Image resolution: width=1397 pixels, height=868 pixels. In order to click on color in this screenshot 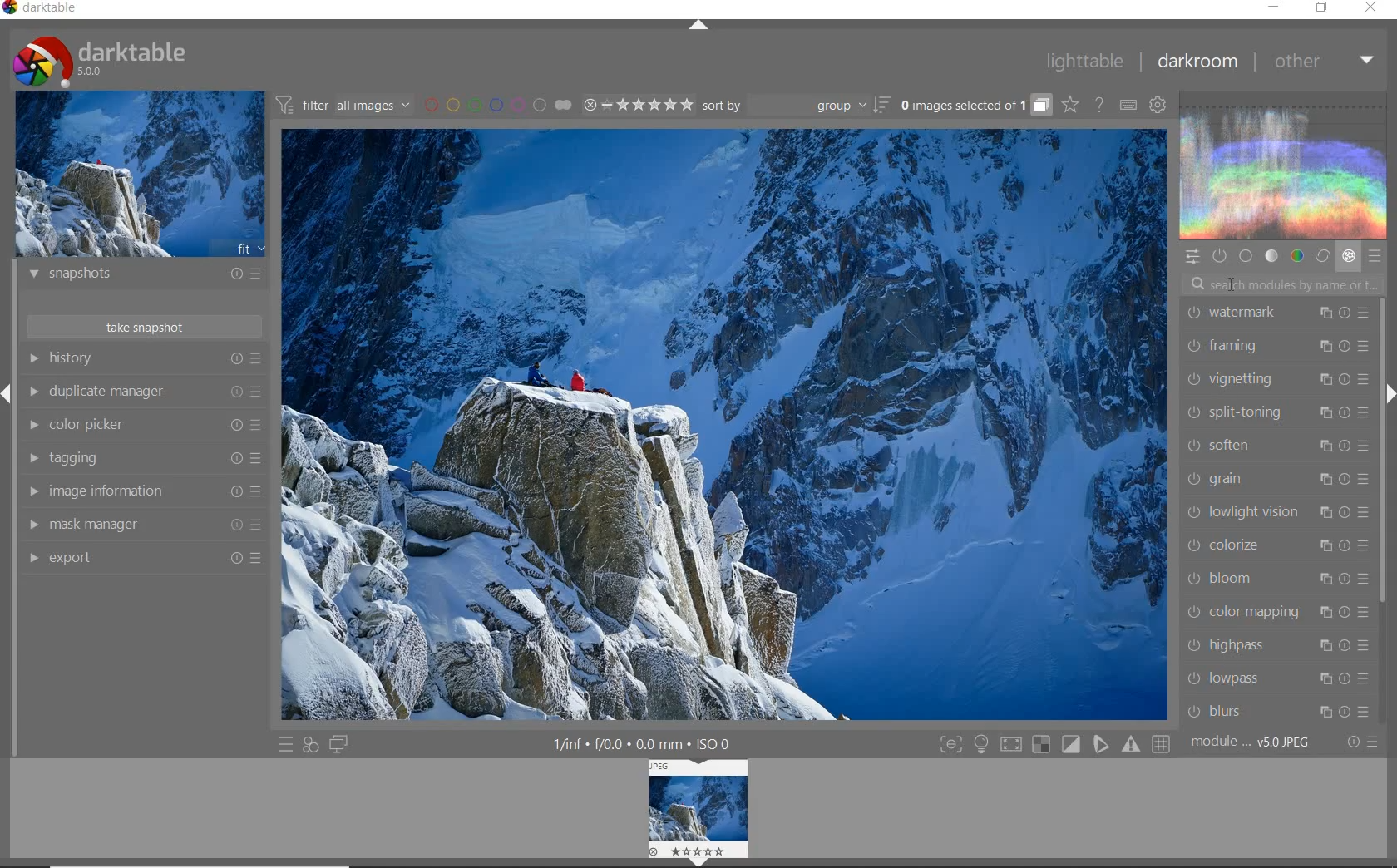, I will do `click(1298, 255)`.